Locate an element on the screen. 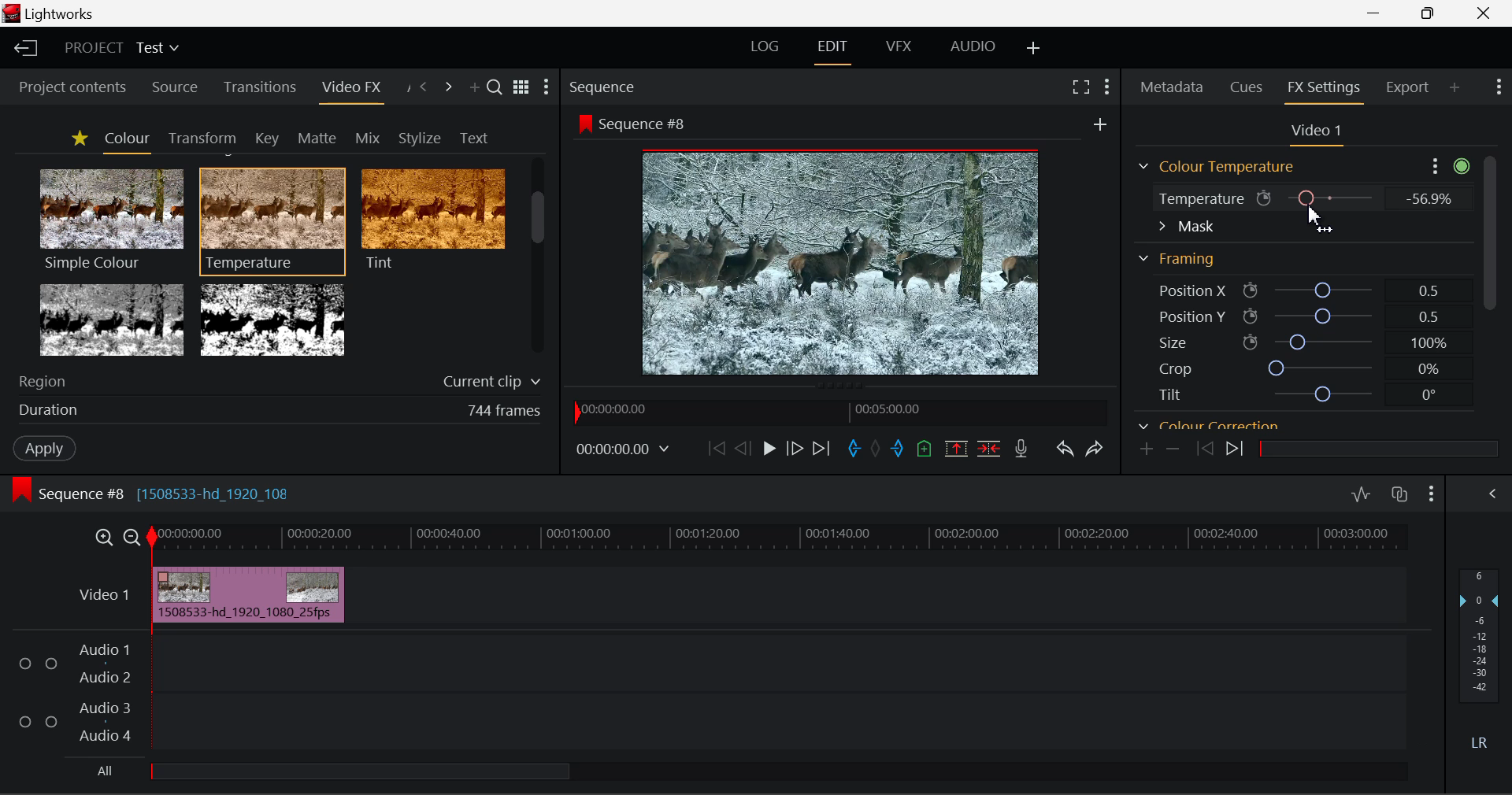  Tilt is located at coordinates (1171, 394).